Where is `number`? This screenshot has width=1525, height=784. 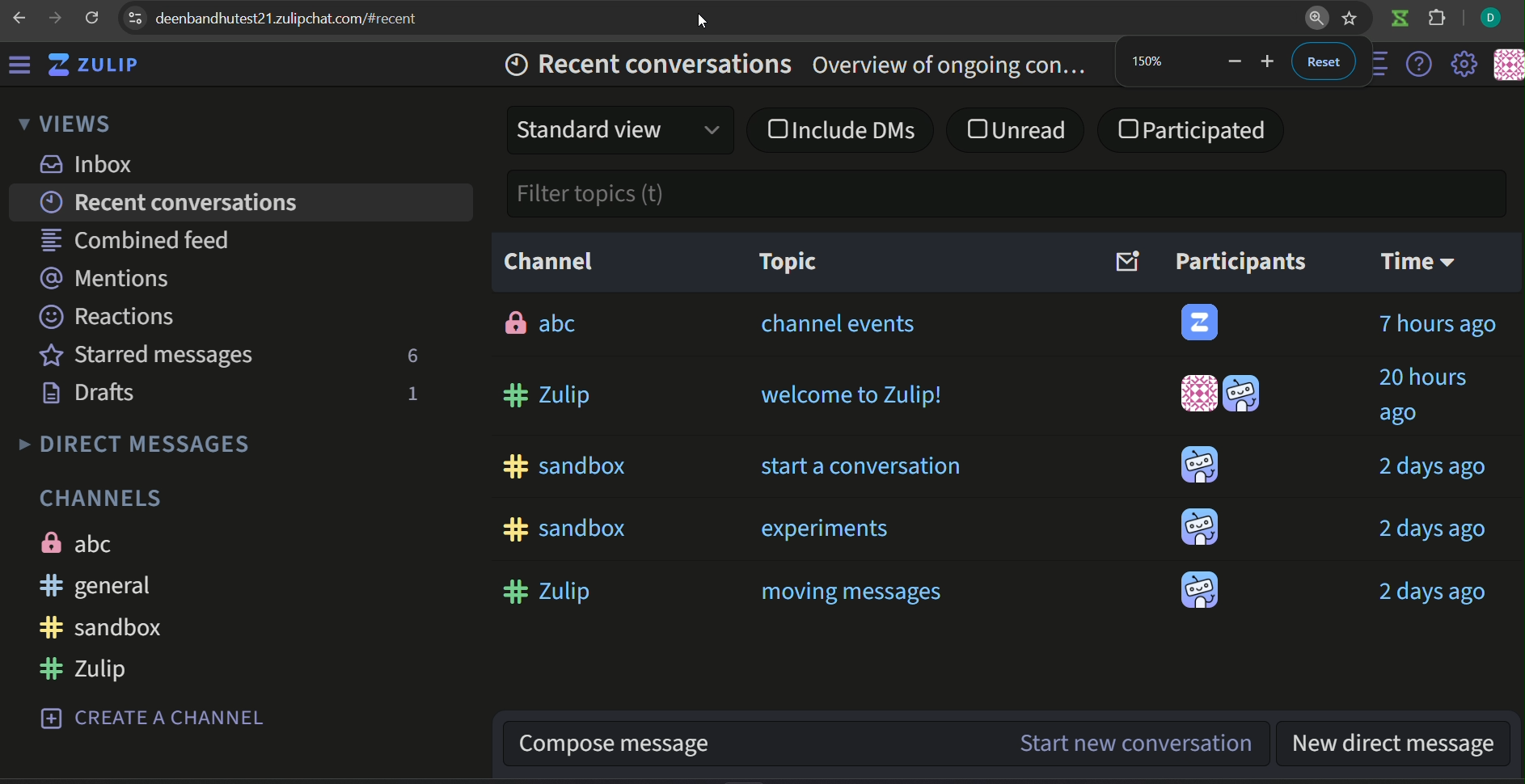
number is located at coordinates (411, 394).